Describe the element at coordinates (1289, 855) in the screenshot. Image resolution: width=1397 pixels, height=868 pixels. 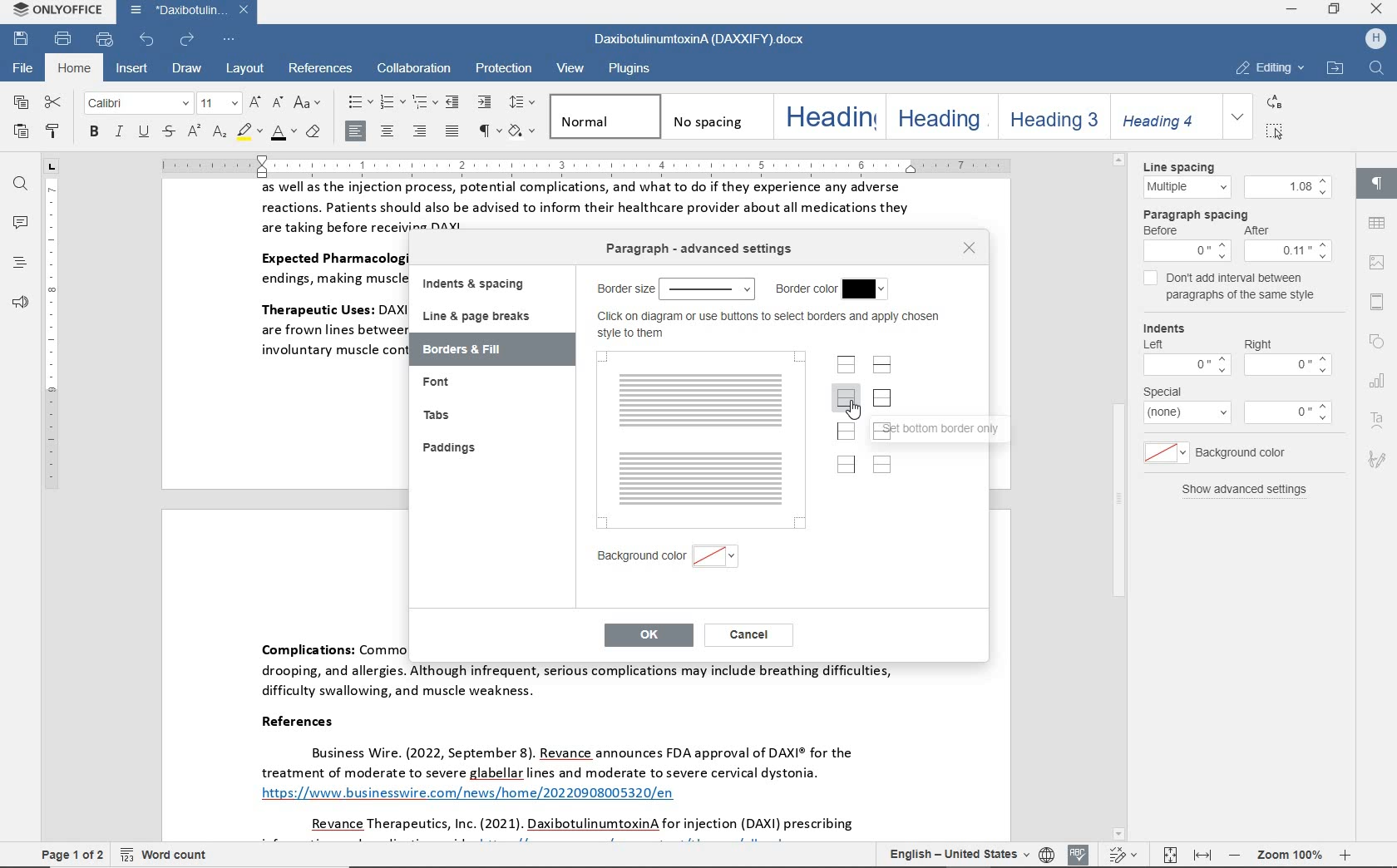
I see `zoom out or zoom in` at that location.